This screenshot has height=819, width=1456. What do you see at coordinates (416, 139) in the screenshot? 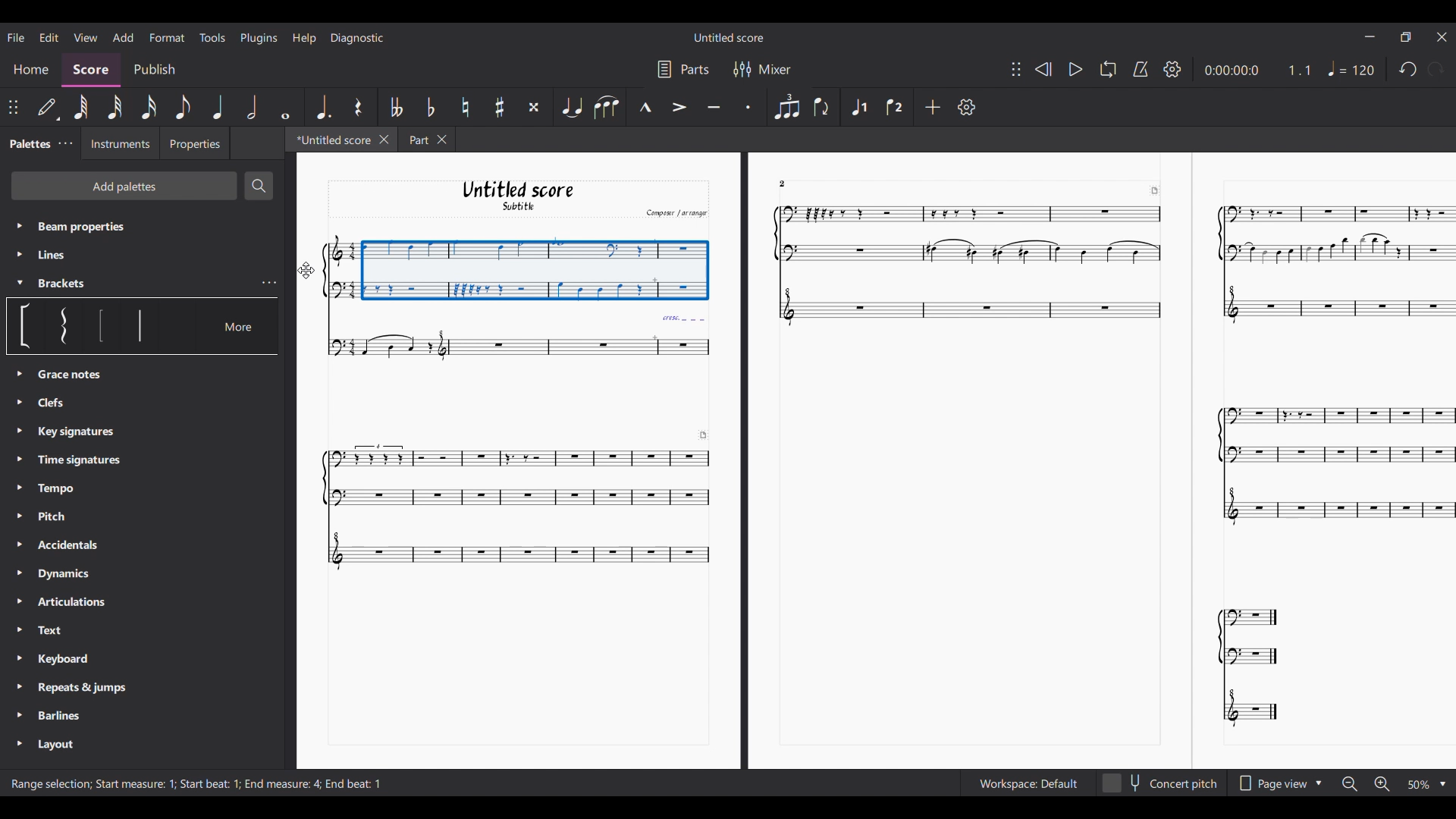
I see `Part` at bounding box center [416, 139].